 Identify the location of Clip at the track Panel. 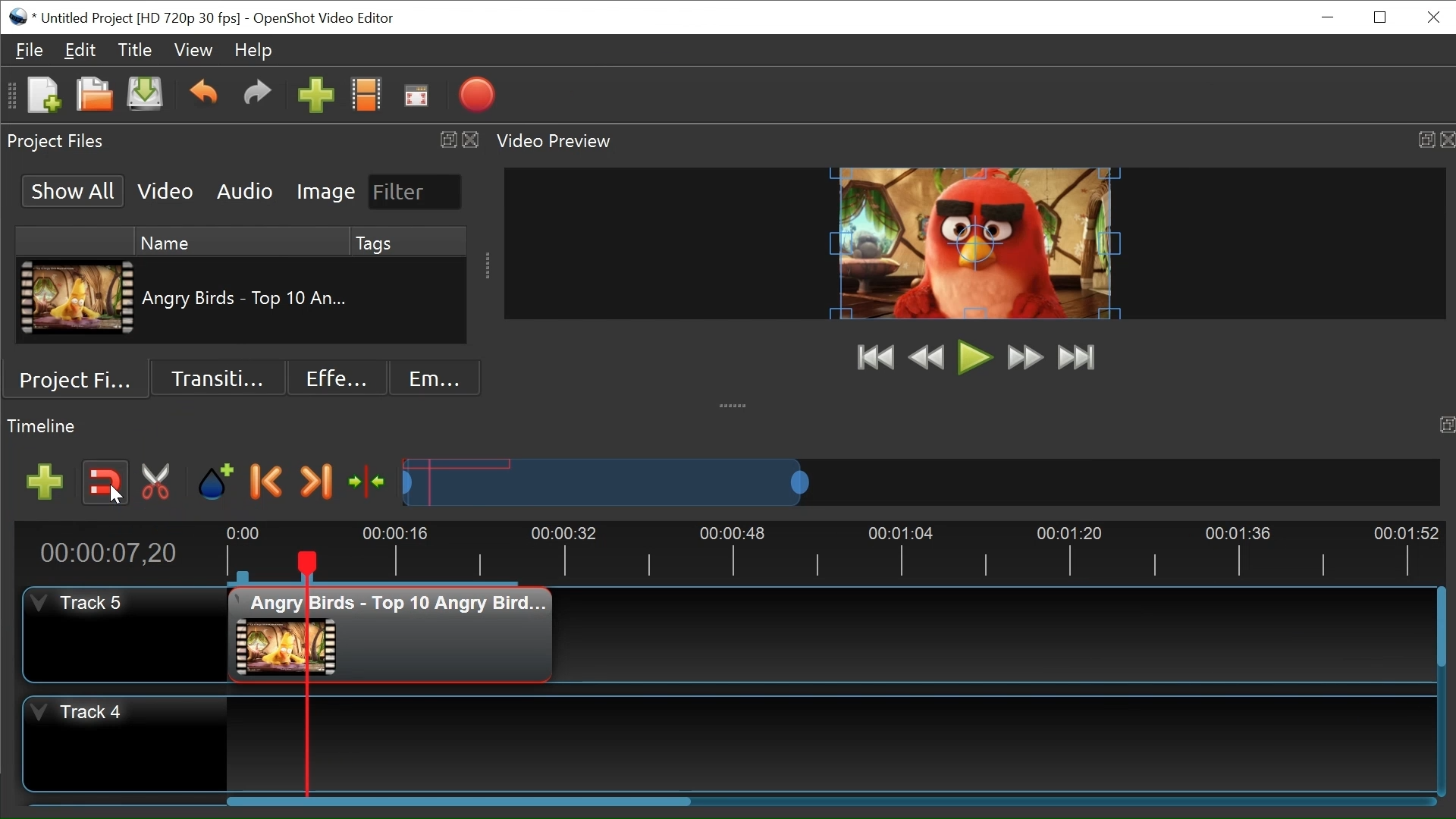
(393, 634).